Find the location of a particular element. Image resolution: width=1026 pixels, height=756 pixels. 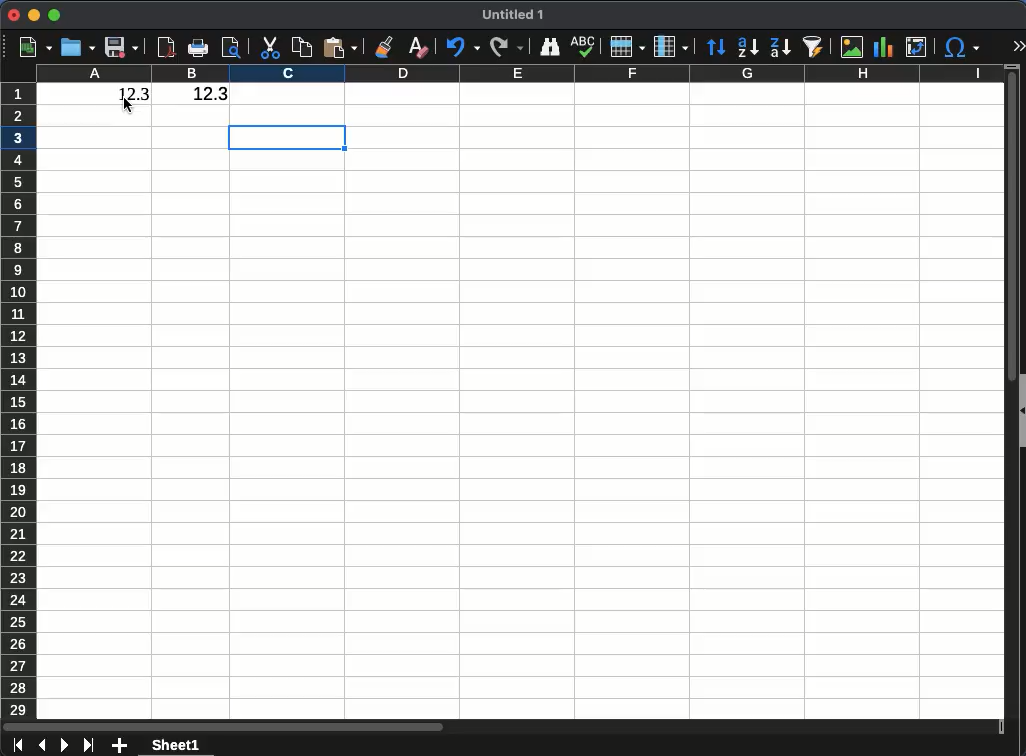

first sheet is located at coordinates (18, 745).